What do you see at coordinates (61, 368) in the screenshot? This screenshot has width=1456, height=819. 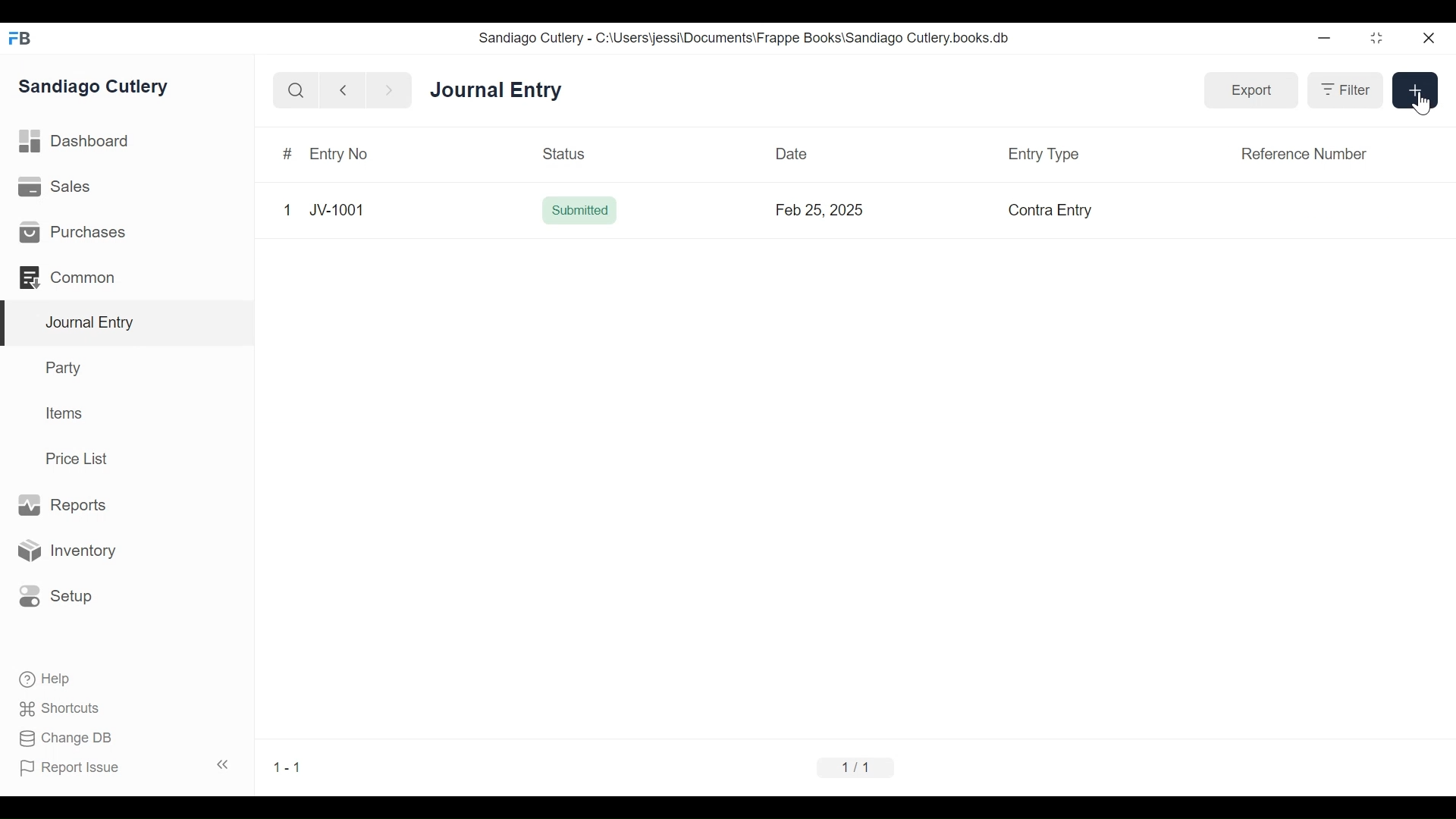 I see `Party` at bounding box center [61, 368].